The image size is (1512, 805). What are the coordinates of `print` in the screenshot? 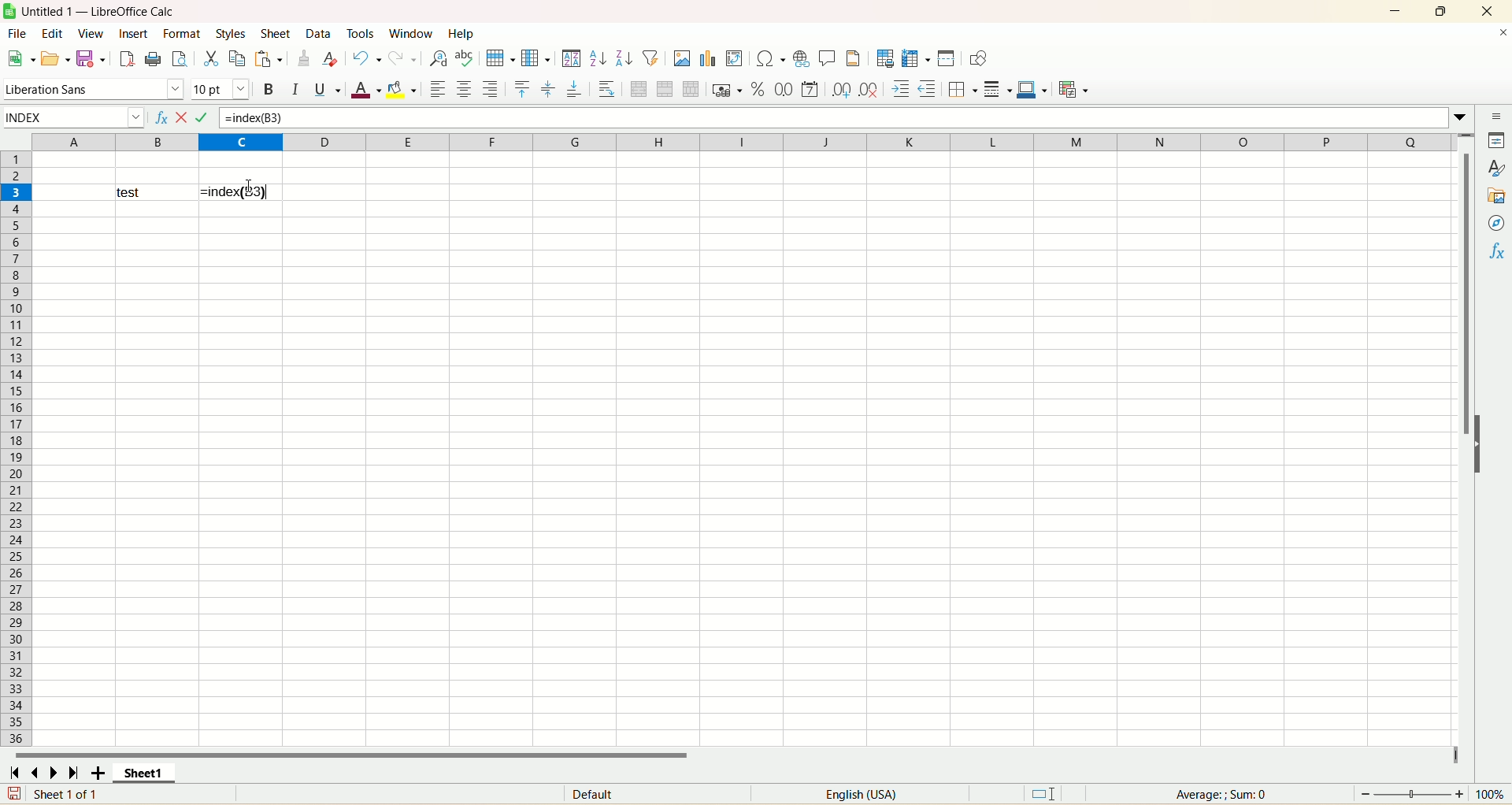 It's located at (153, 58).